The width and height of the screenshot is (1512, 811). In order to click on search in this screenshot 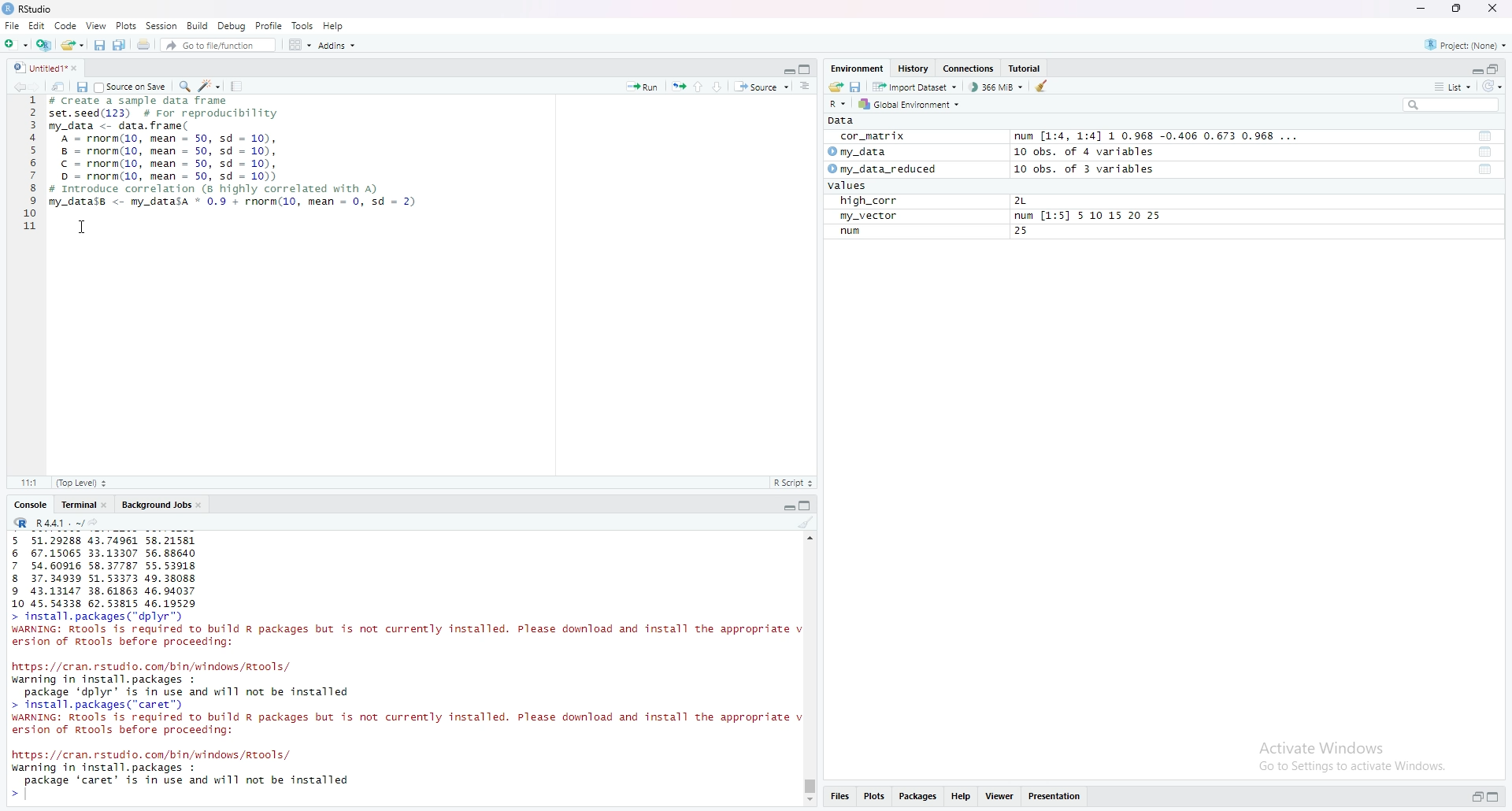, I will do `click(1450, 106)`.